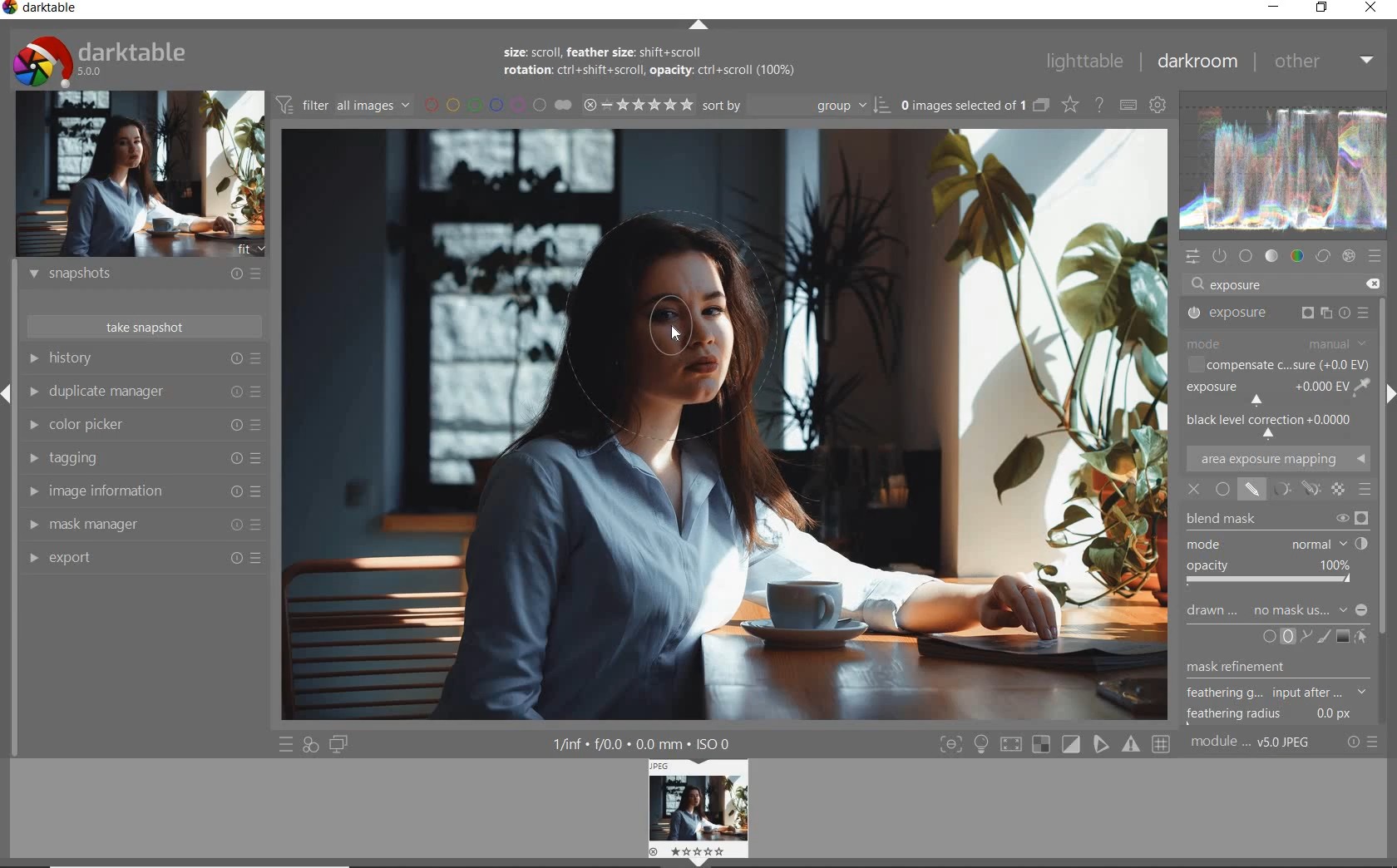  Describe the element at coordinates (1253, 744) in the screenshot. I see `module` at that location.